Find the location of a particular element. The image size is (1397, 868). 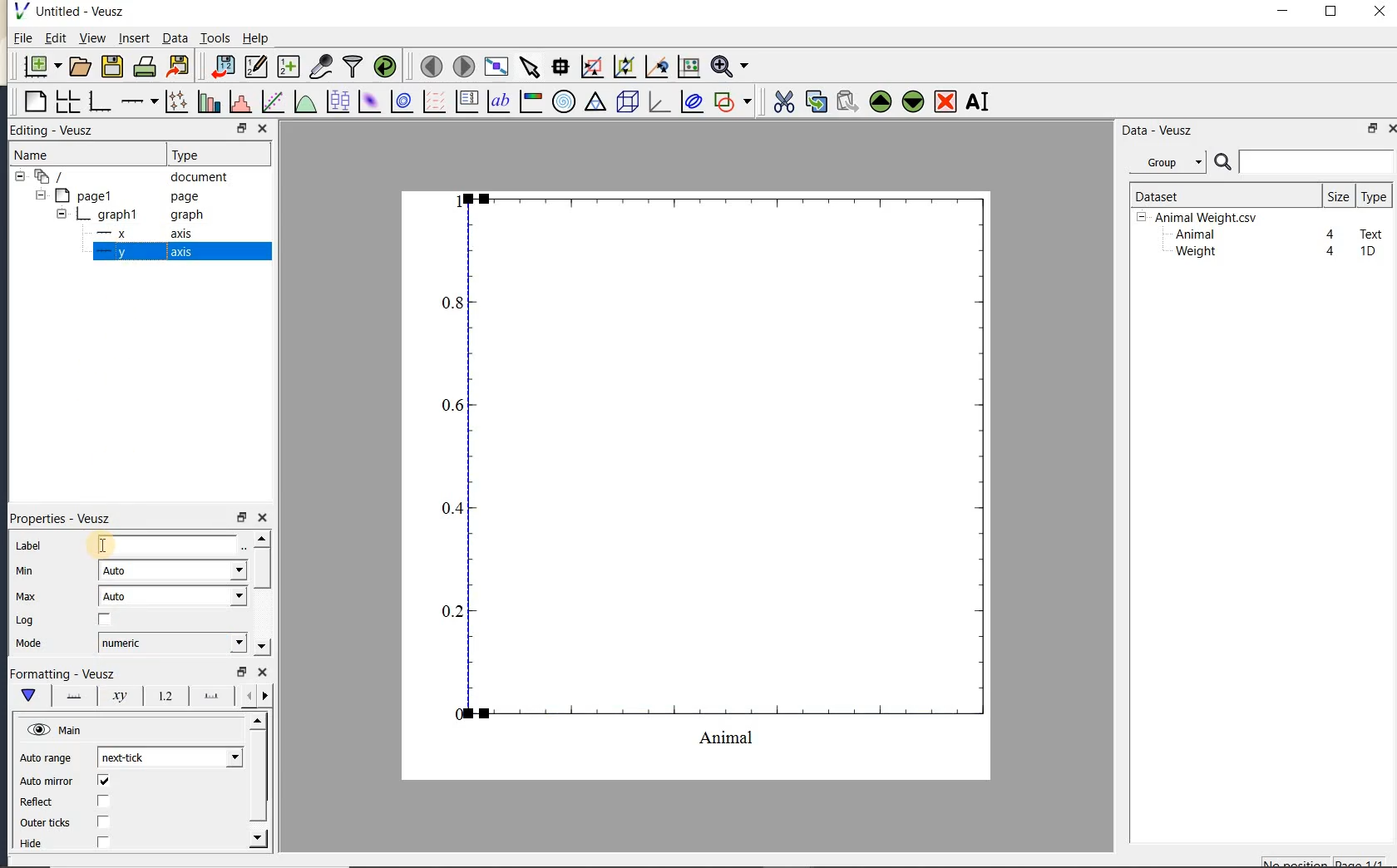

plot key is located at coordinates (465, 101).